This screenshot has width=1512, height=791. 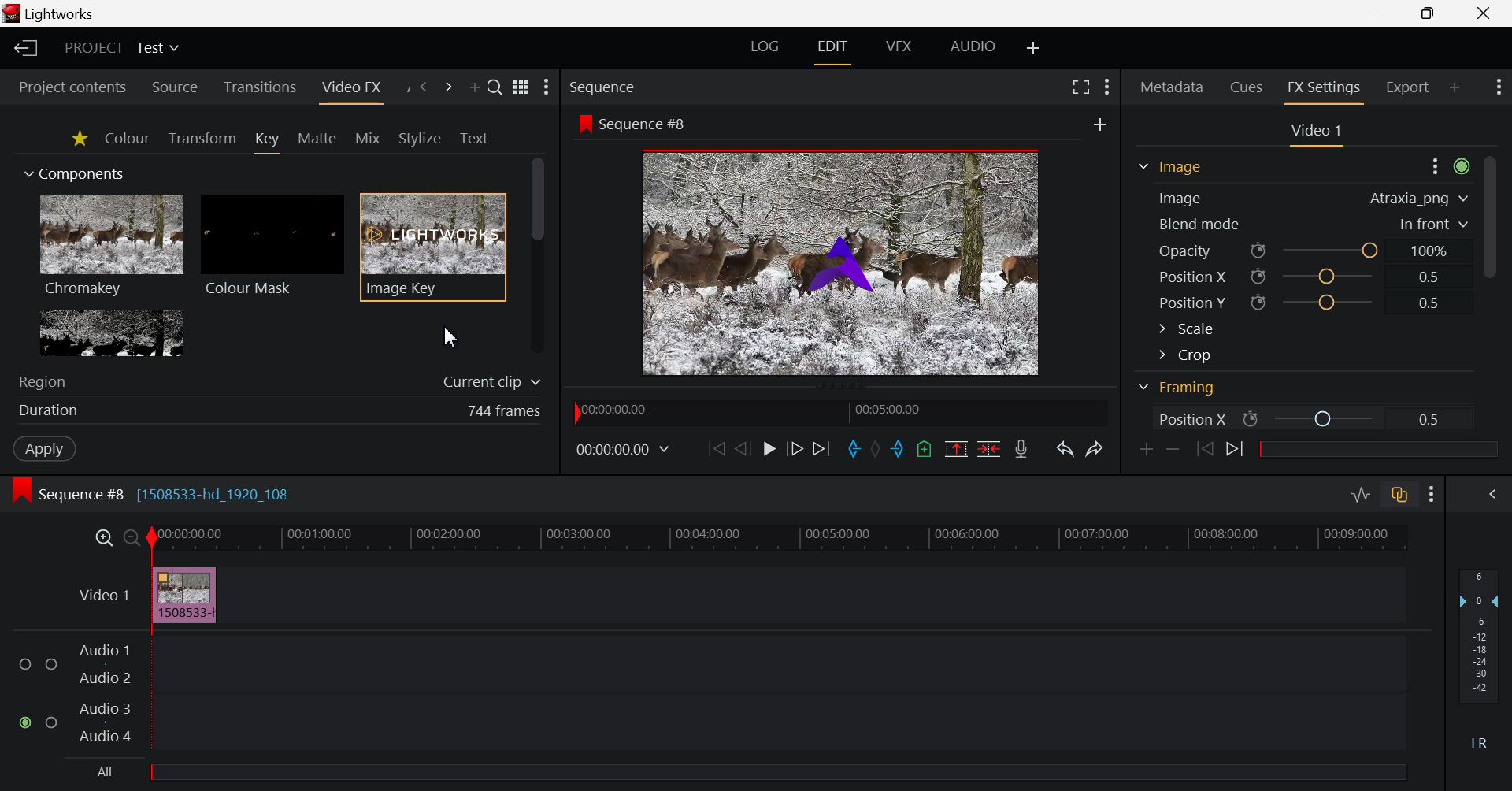 What do you see at coordinates (106, 650) in the screenshot?
I see `Audio 1` at bounding box center [106, 650].